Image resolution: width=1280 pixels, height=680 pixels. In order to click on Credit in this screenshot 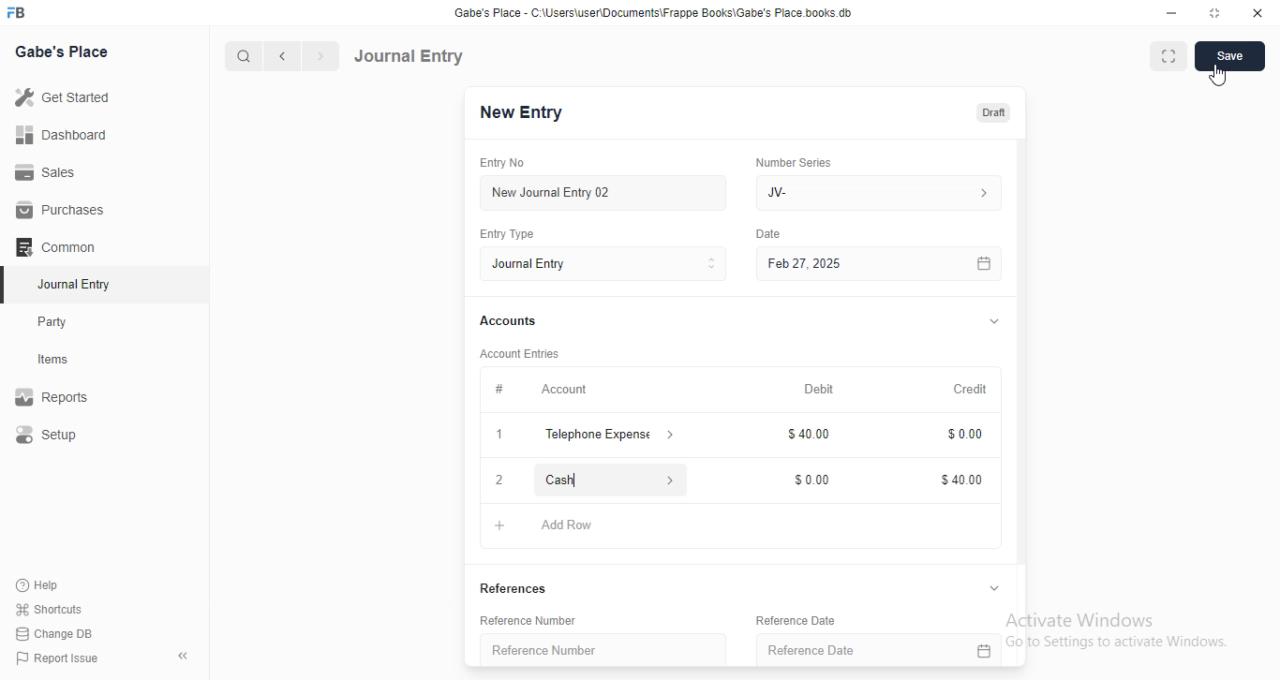, I will do `click(971, 390)`.